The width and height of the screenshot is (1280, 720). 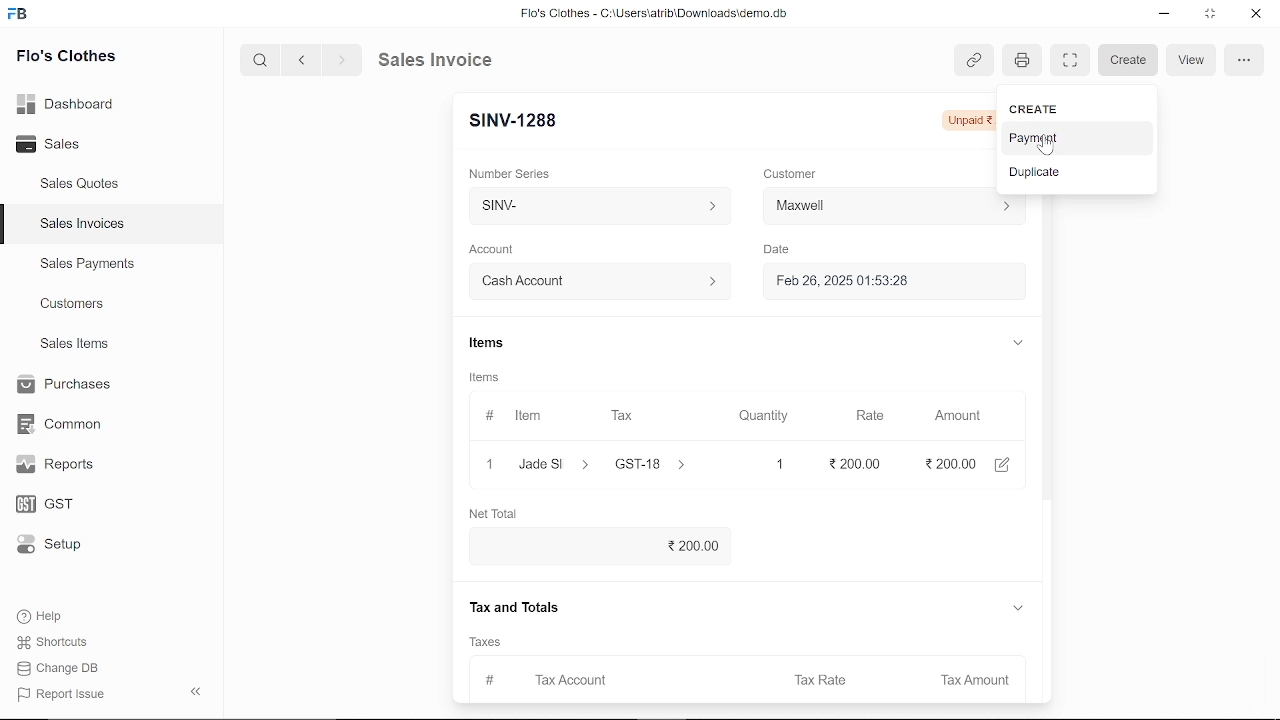 I want to click on full screen, so click(x=1069, y=60).